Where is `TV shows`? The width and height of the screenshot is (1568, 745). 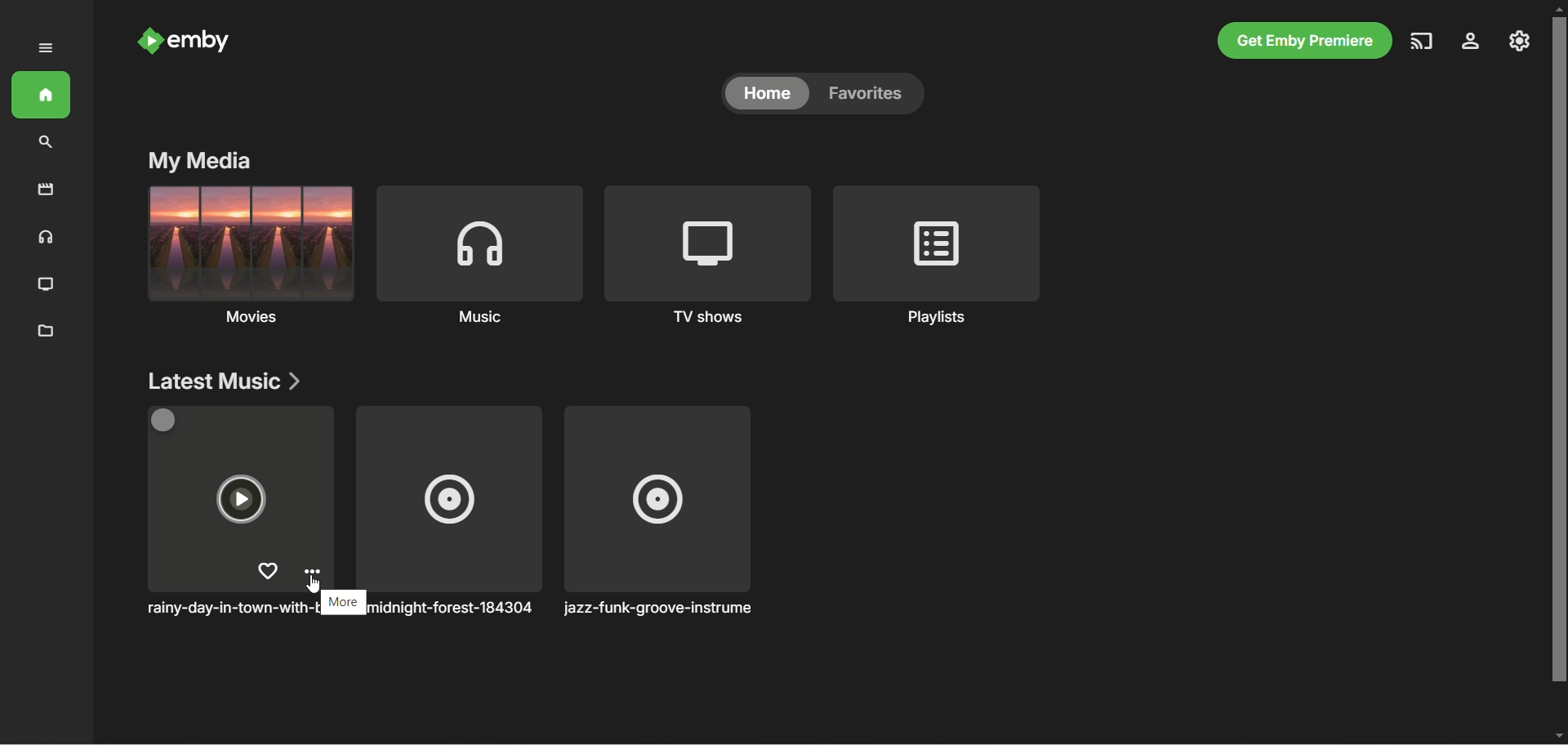 TV shows is located at coordinates (709, 258).